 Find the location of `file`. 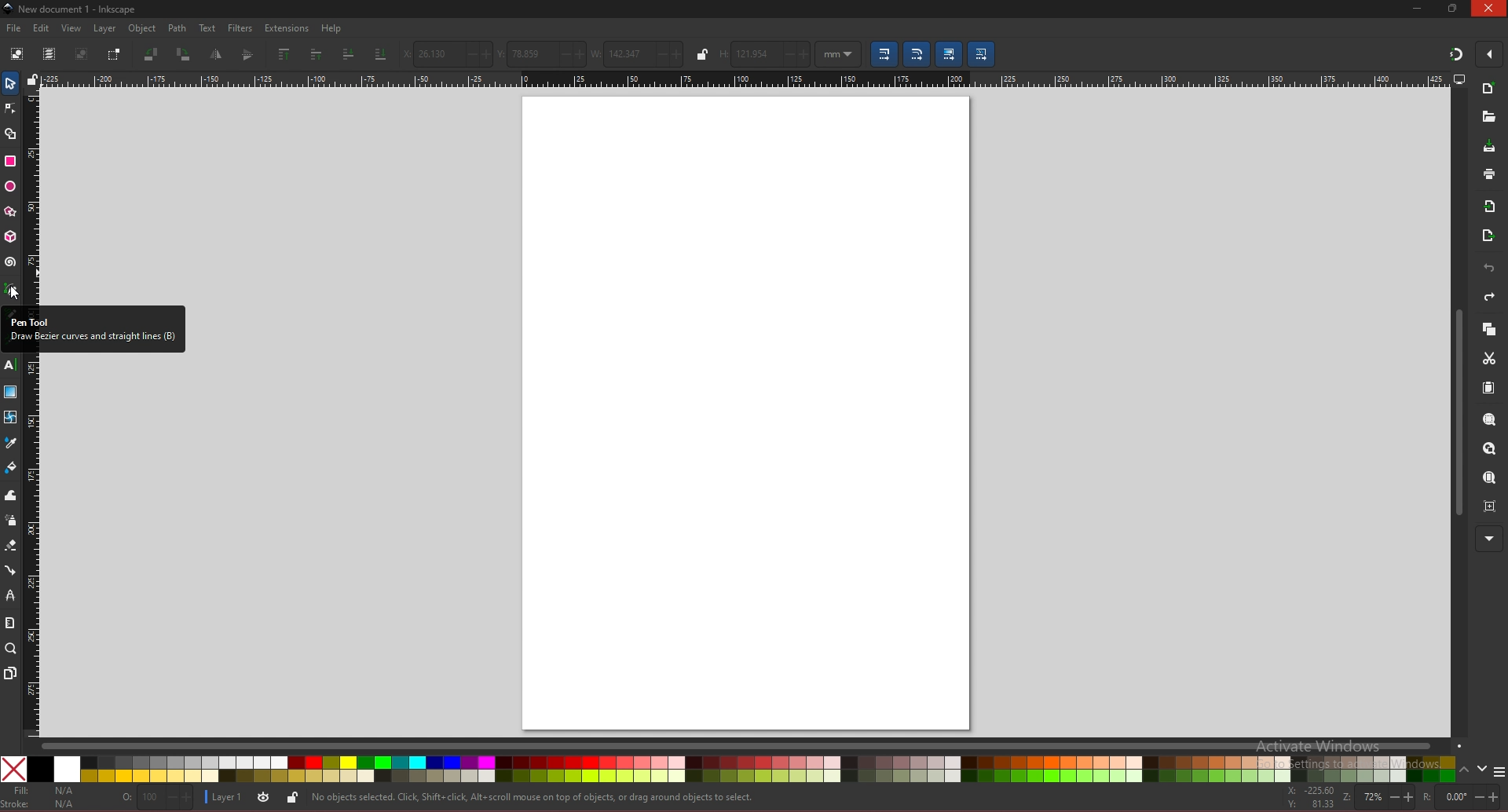

file is located at coordinates (13, 28).